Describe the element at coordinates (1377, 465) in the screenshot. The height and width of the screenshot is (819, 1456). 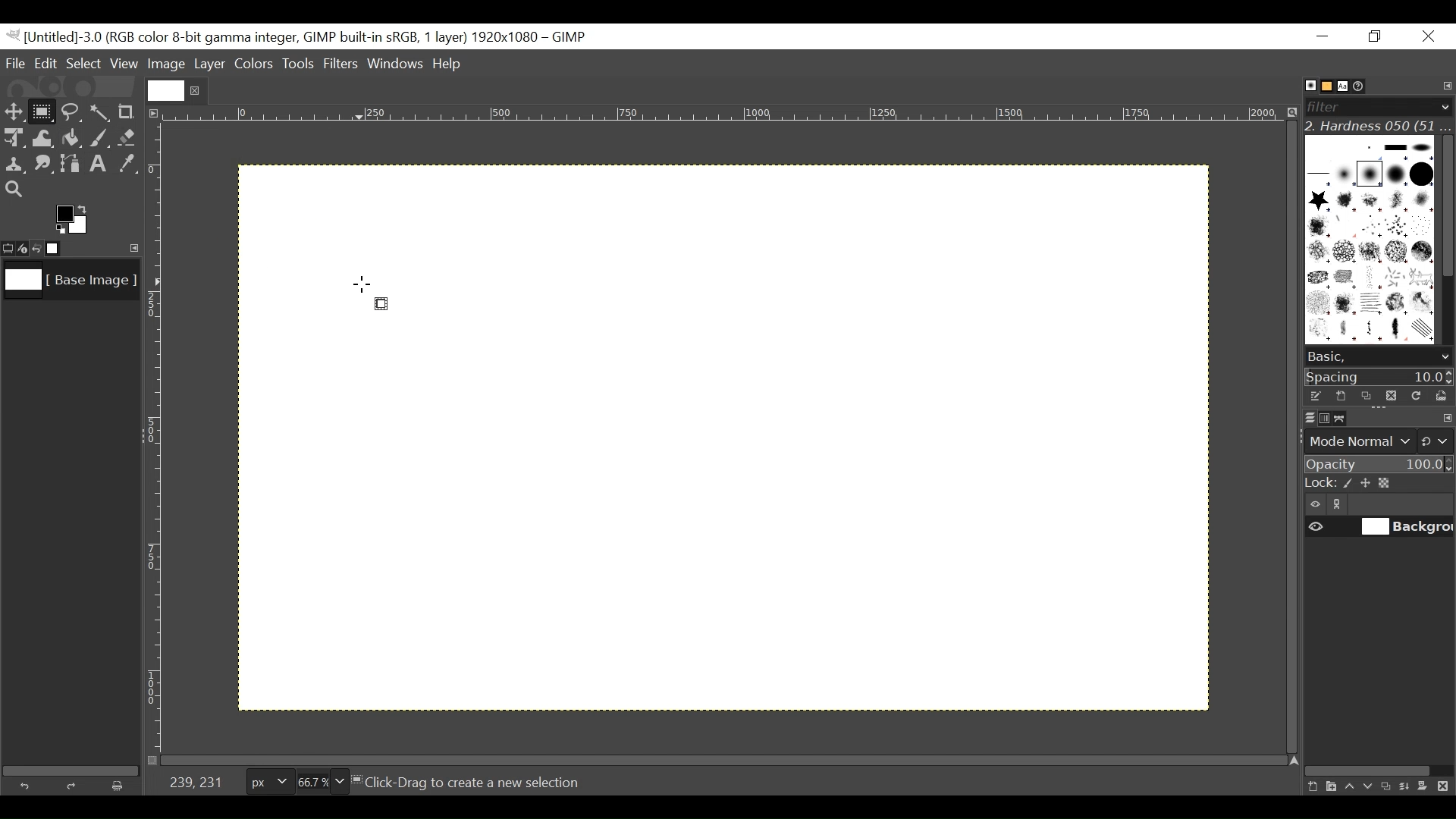
I see `Opacity` at that location.